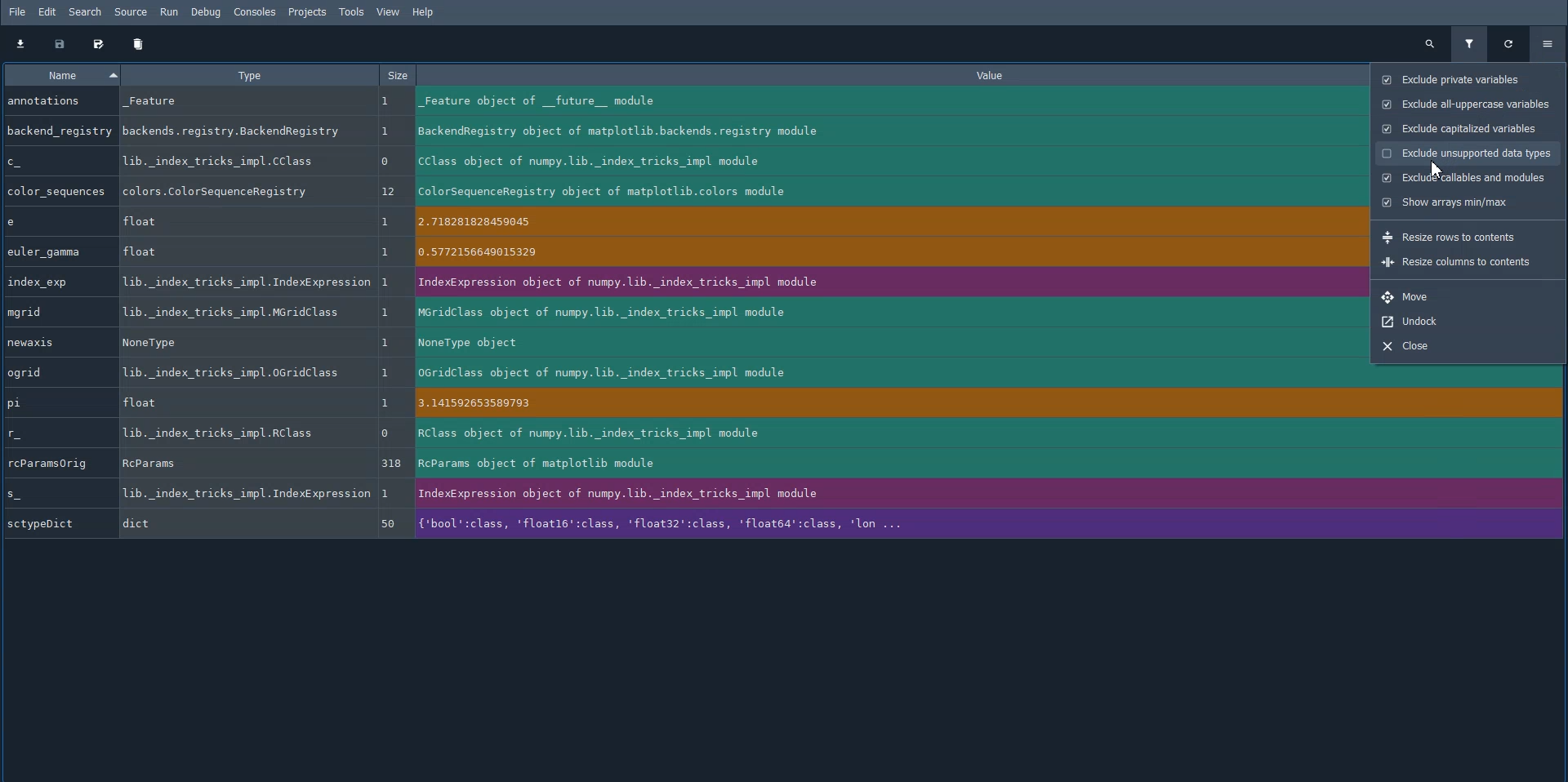 Image resolution: width=1568 pixels, height=782 pixels. I want to click on Refresh variables, so click(1509, 43).